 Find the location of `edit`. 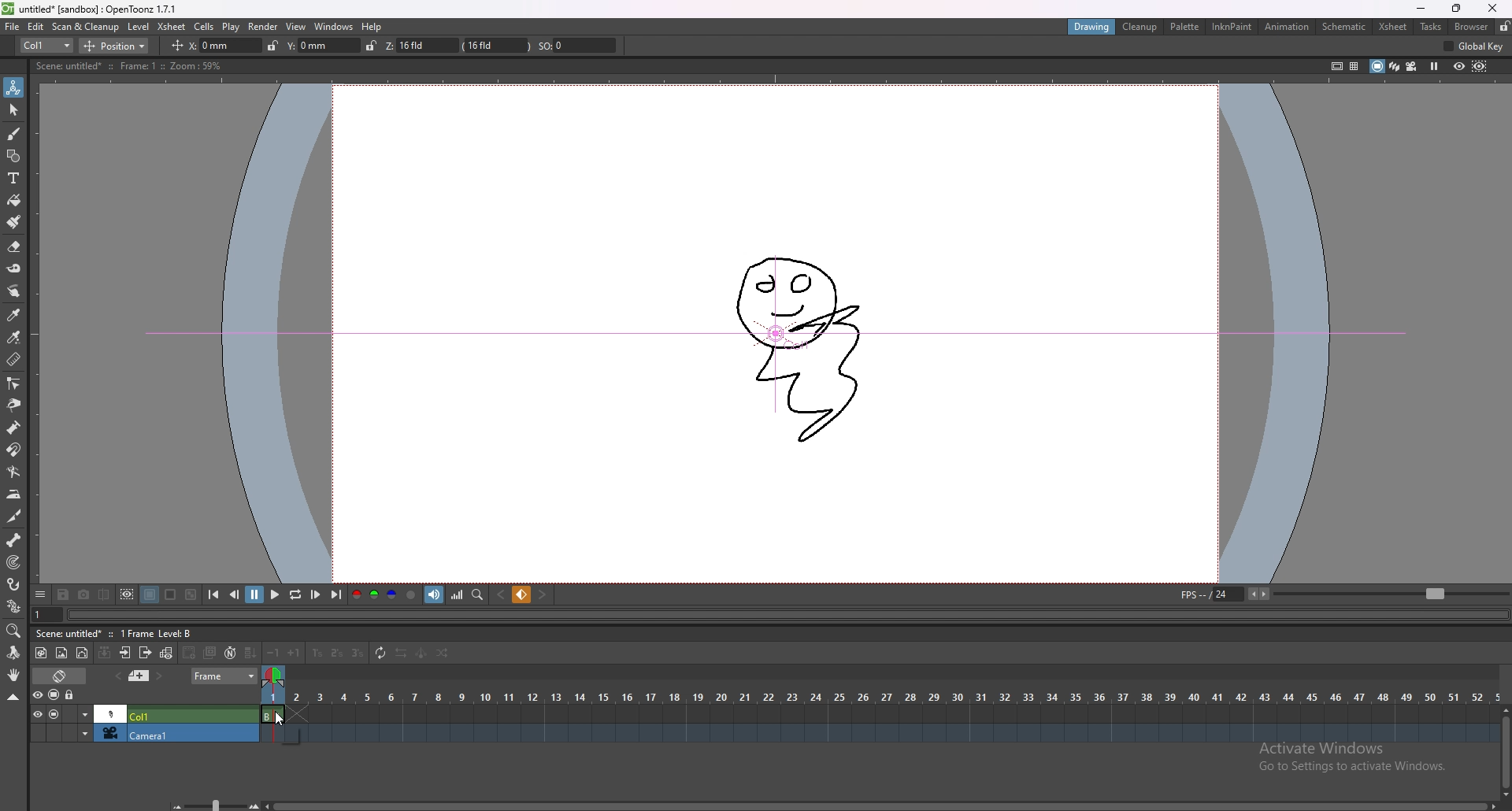

edit is located at coordinates (36, 26).